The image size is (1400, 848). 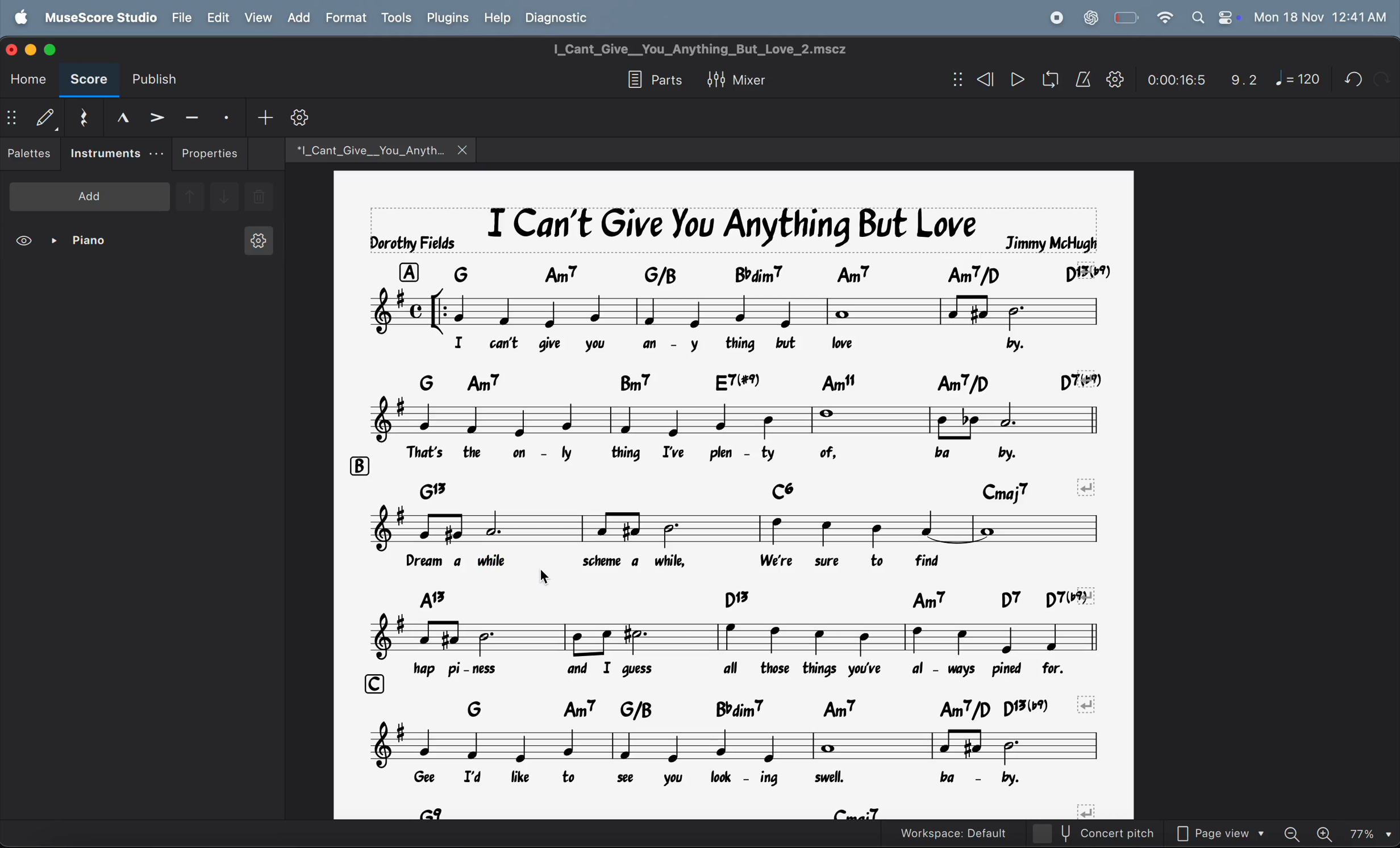 I want to click on text cursor, so click(x=537, y=580).